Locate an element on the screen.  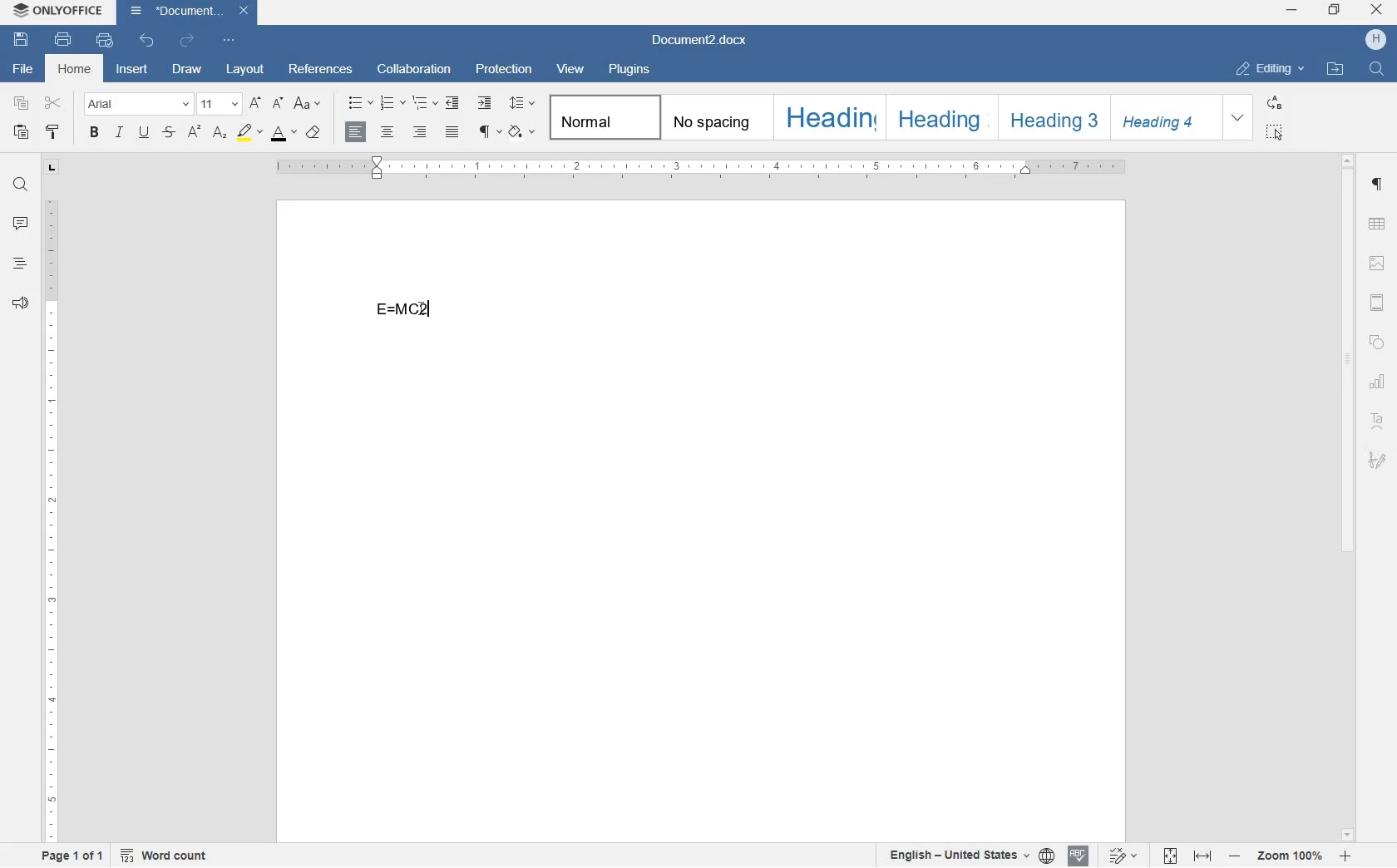
minimize is located at coordinates (1292, 10).